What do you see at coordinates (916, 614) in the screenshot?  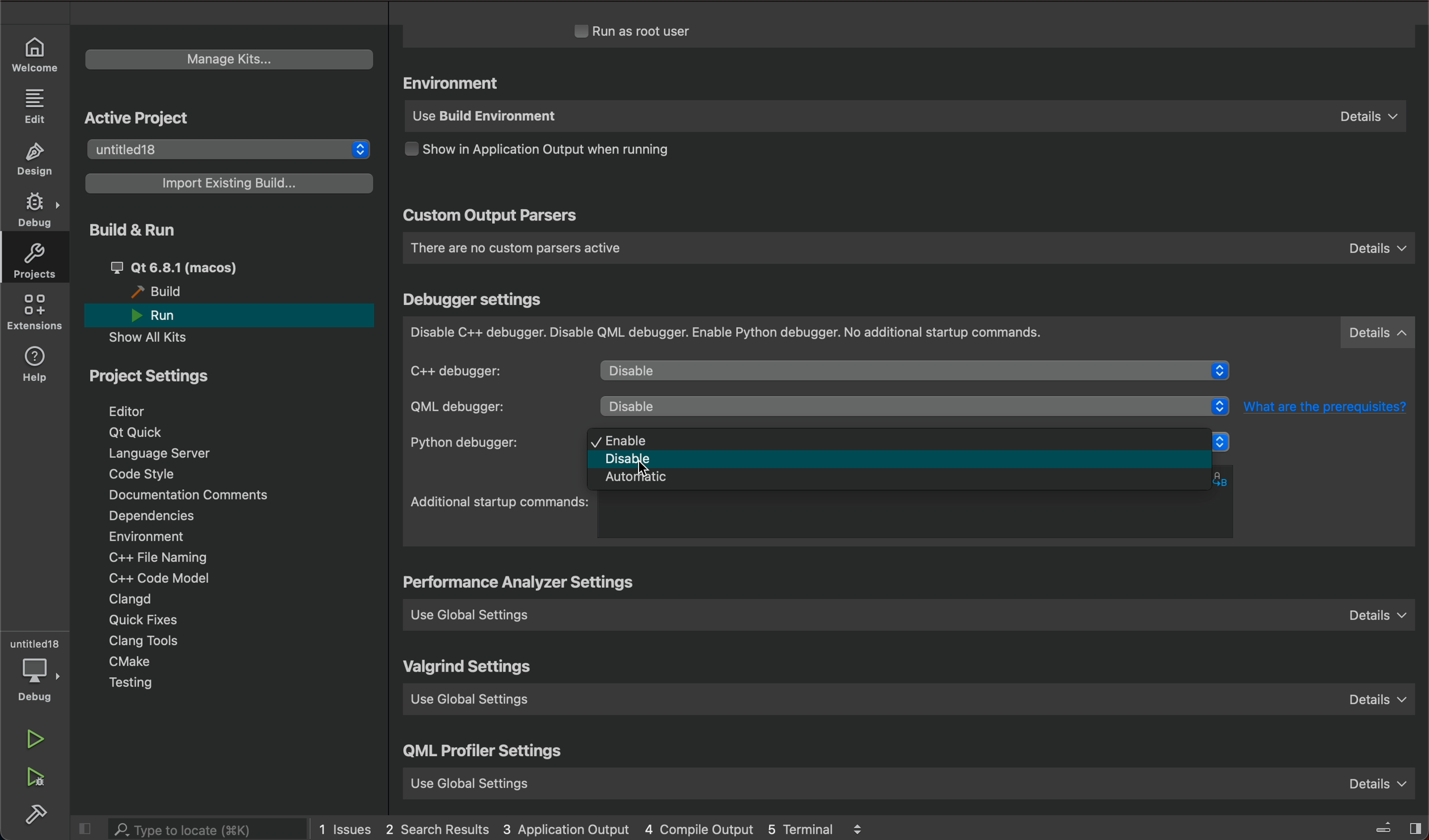 I see `use global ` at bounding box center [916, 614].